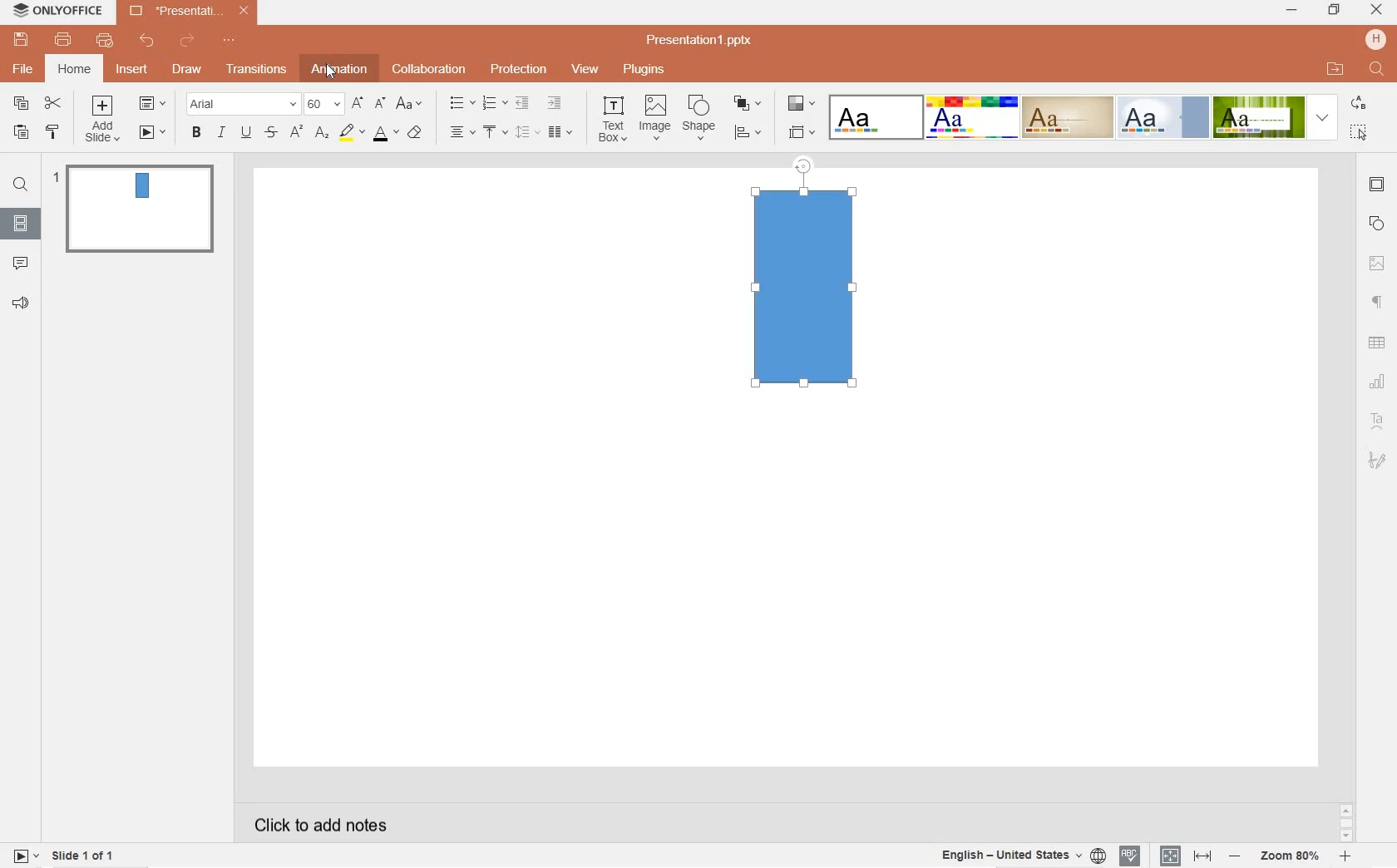 The image size is (1397, 868). Describe the element at coordinates (239, 104) in the screenshot. I see `font name: Arial` at that location.